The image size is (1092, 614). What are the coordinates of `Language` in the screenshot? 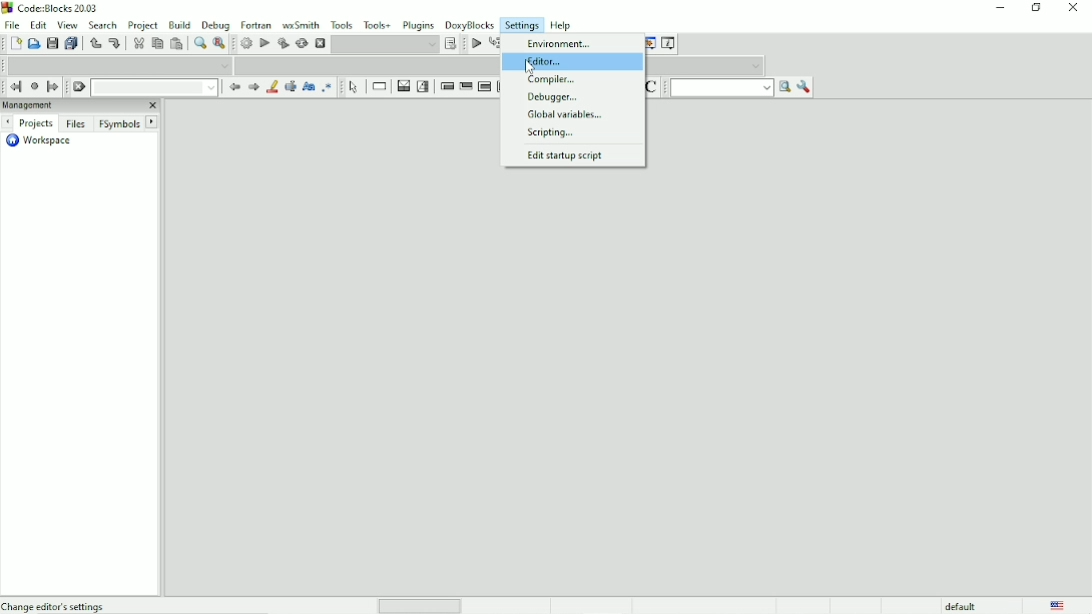 It's located at (1059, 605).